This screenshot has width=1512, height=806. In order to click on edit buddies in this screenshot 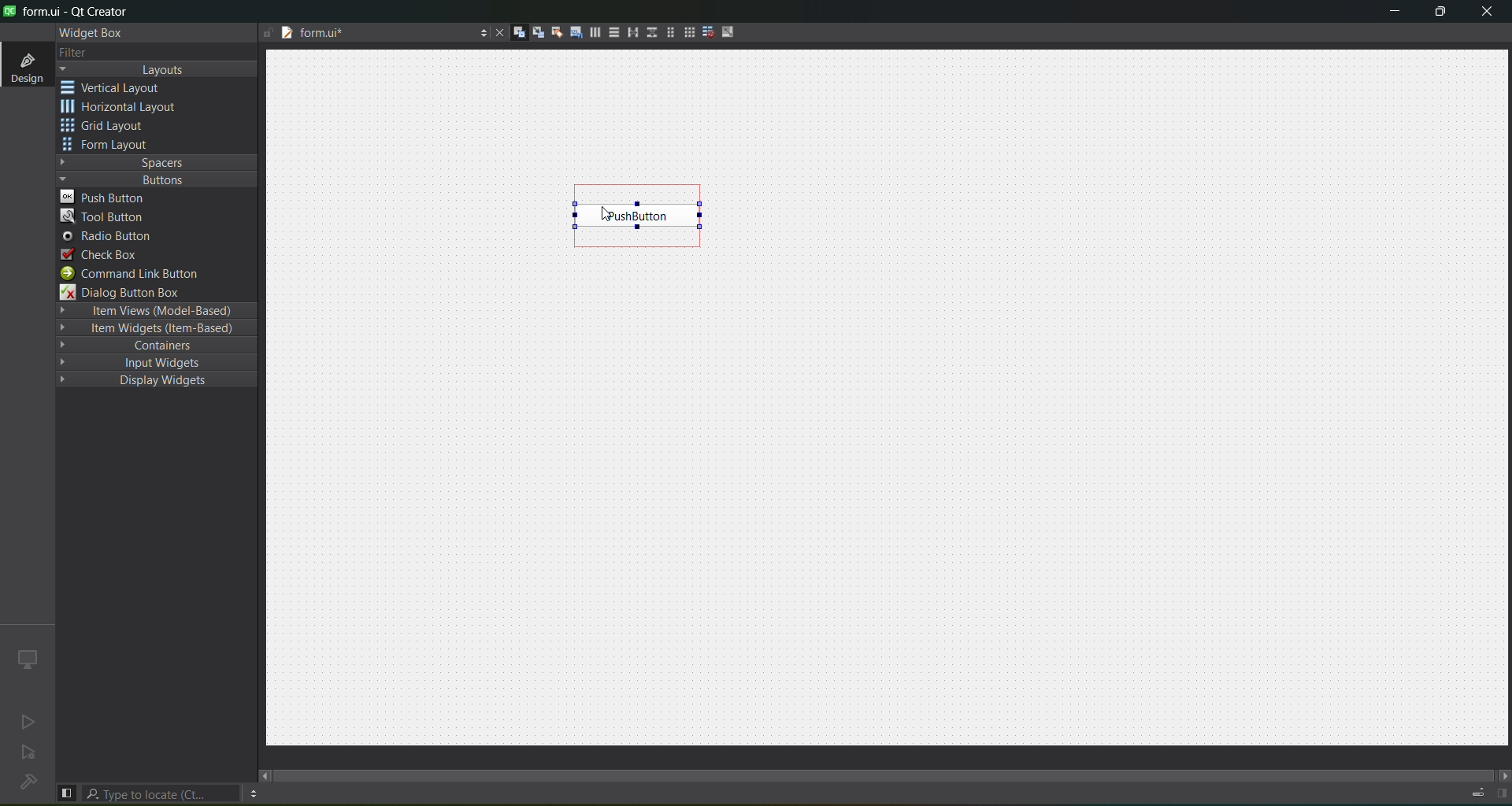, I will do `click(554, 31)`.